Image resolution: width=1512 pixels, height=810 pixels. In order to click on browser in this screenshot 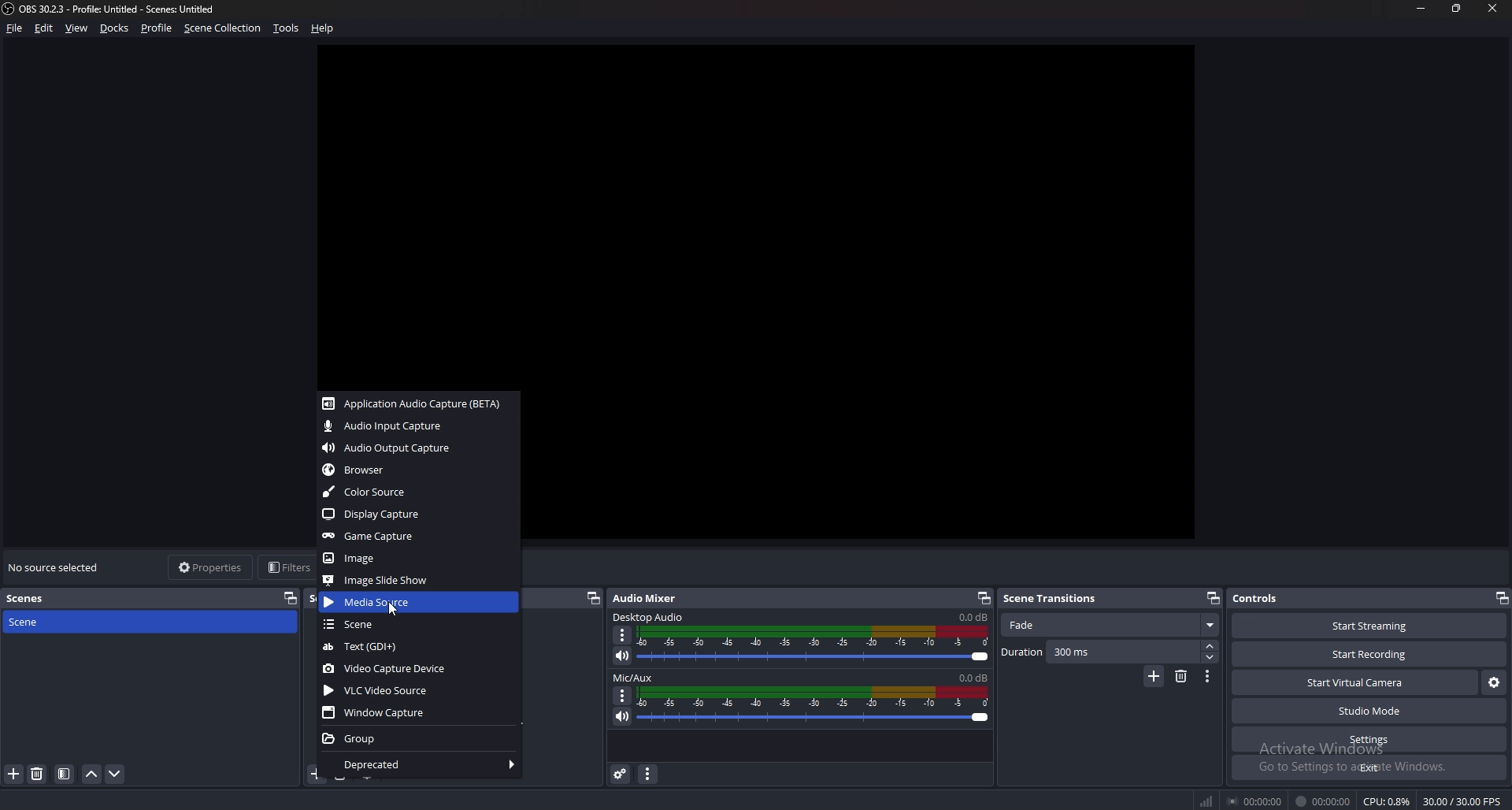, I will do `click(421, 470)`.